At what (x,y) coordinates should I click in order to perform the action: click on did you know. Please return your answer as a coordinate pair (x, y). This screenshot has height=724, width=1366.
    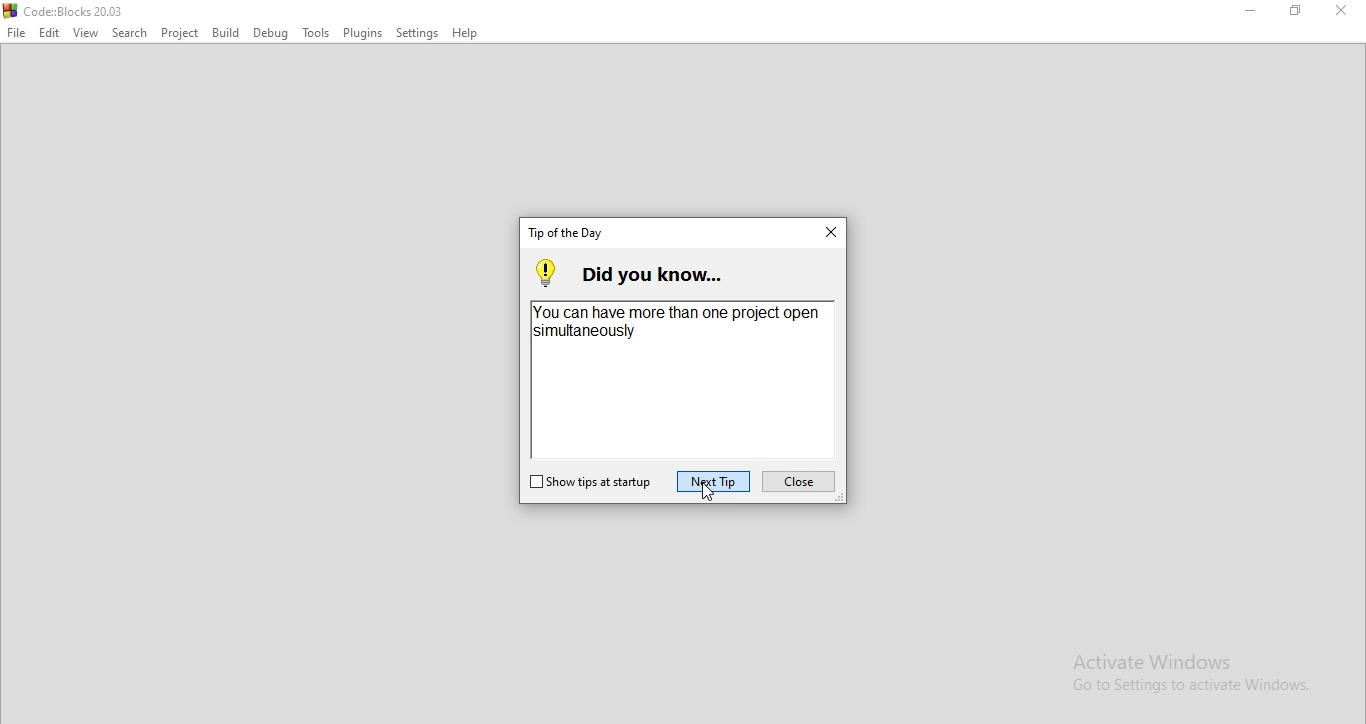
    Looking at the image, I should click on (676, 276).